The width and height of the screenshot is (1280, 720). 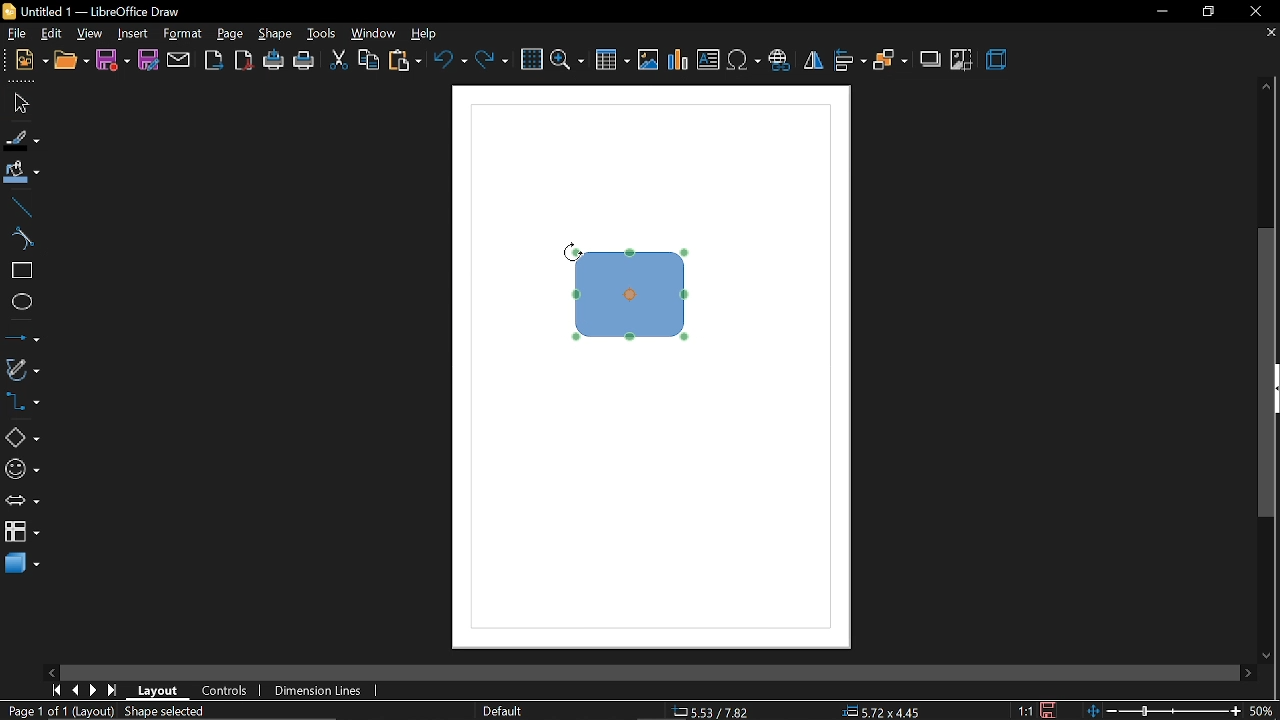 What do you see at coordinates (1268, 87) in the screenshot?
I see `move up` at bounding box center [1268, 87].